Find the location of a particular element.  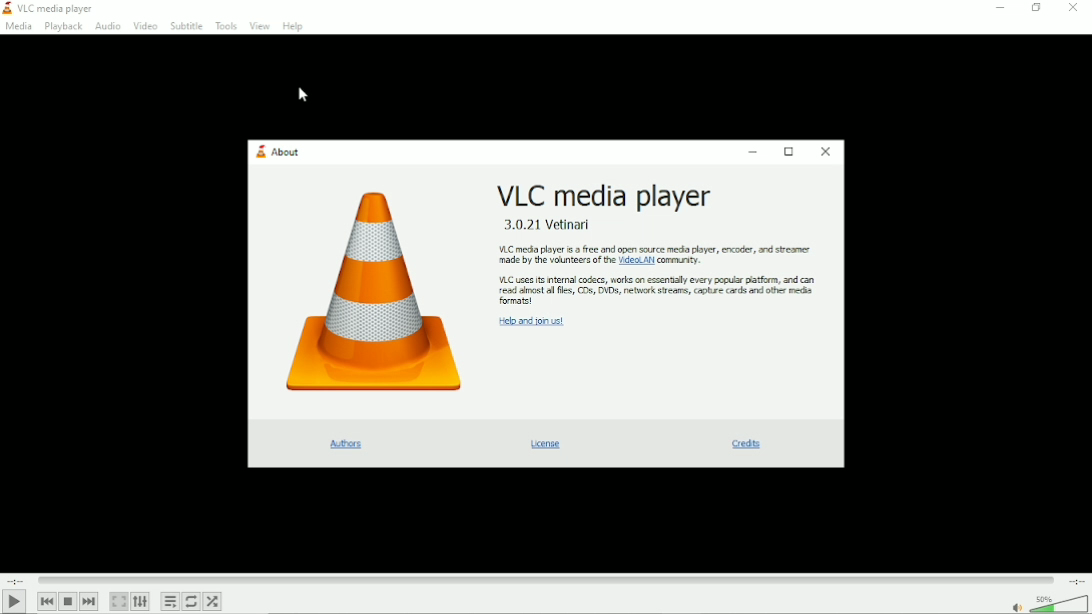

Toggle video in fullscreen is located at coordinates (119, 601).